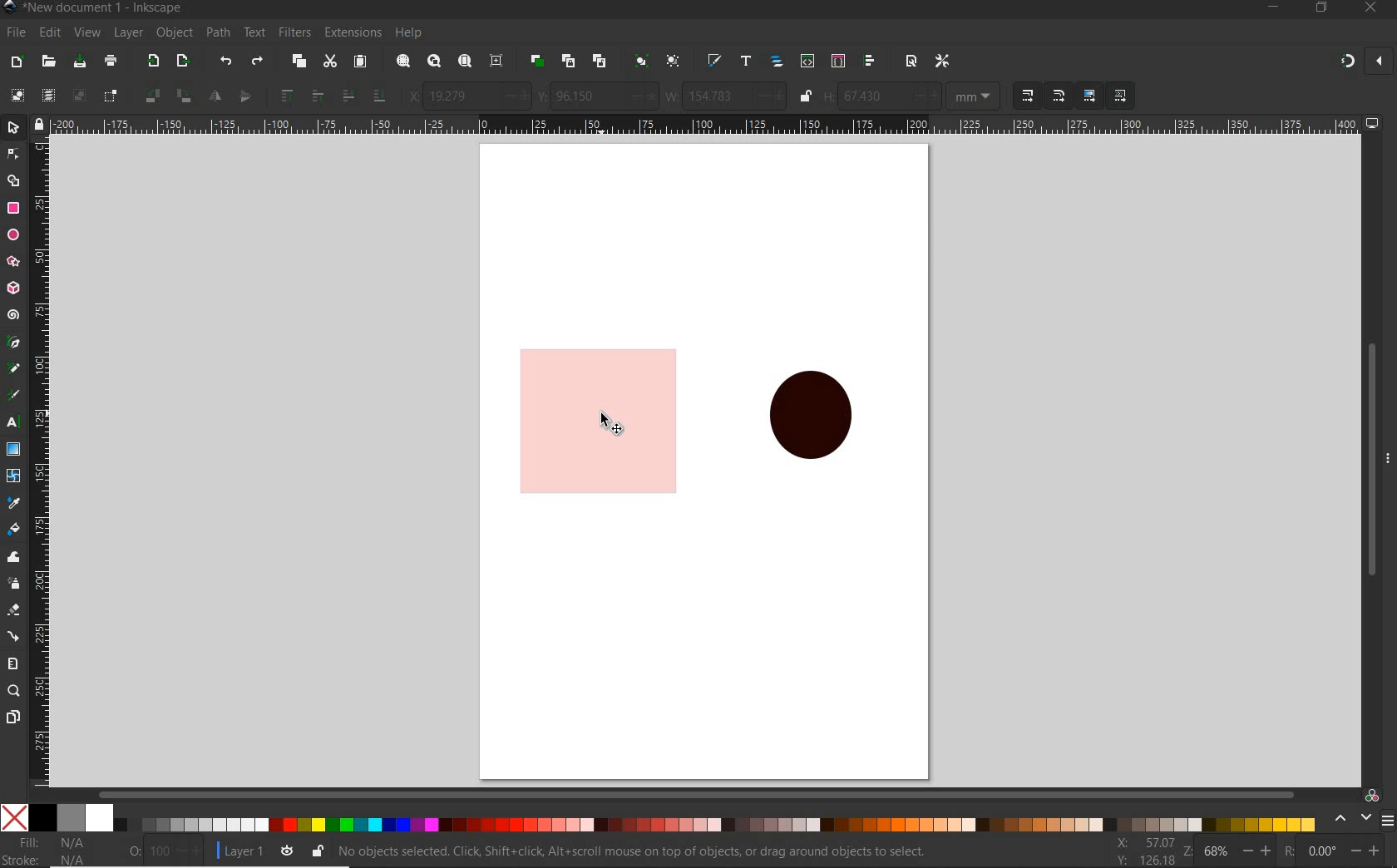 The height and width of the screenshot is (868, 1397). Describe the element at coordinates (674, 61) in the screenshot. I see `ungroup` at that location.